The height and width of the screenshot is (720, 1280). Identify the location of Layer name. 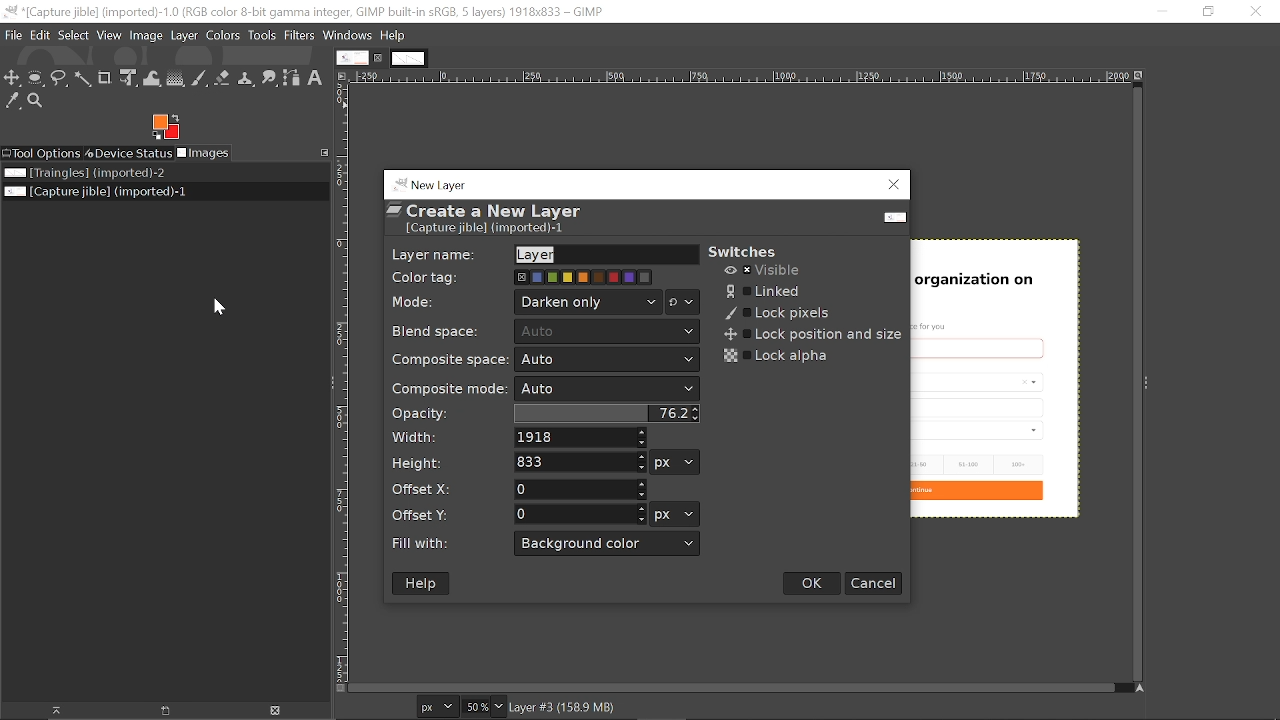
(605, 254).